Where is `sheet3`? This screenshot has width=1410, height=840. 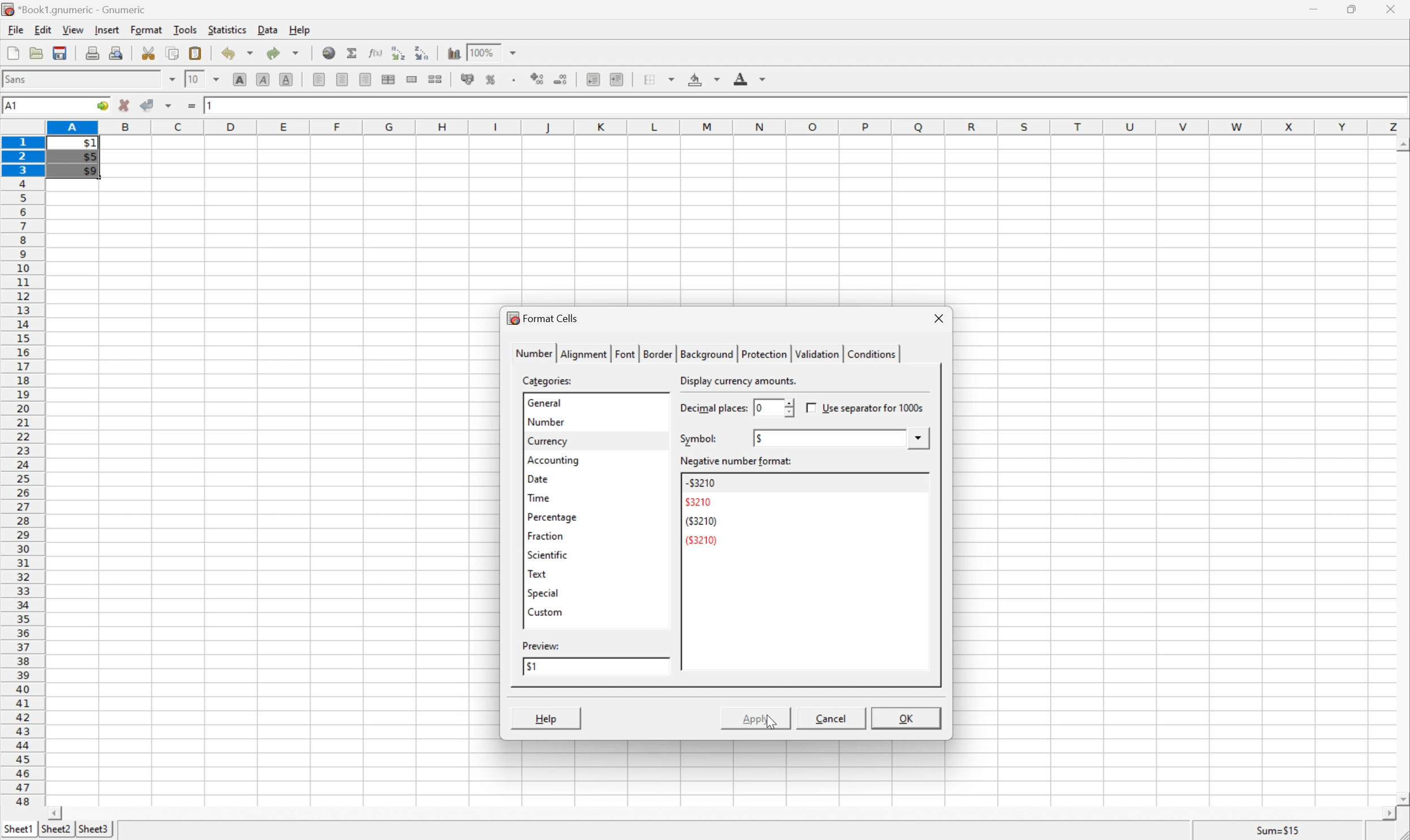 sheet3 is located at coordinates (93, 830).